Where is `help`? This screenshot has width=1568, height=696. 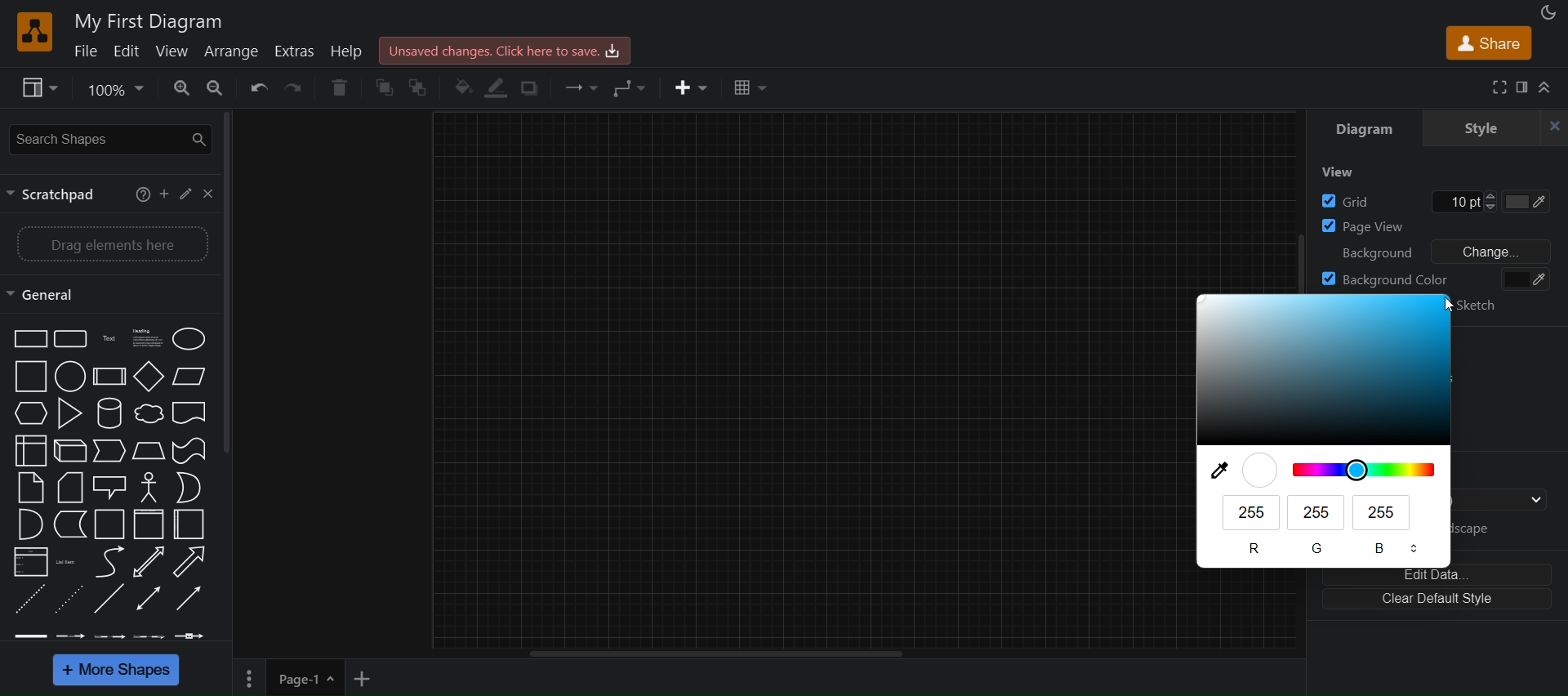
help is located at coordinates (142, 196).